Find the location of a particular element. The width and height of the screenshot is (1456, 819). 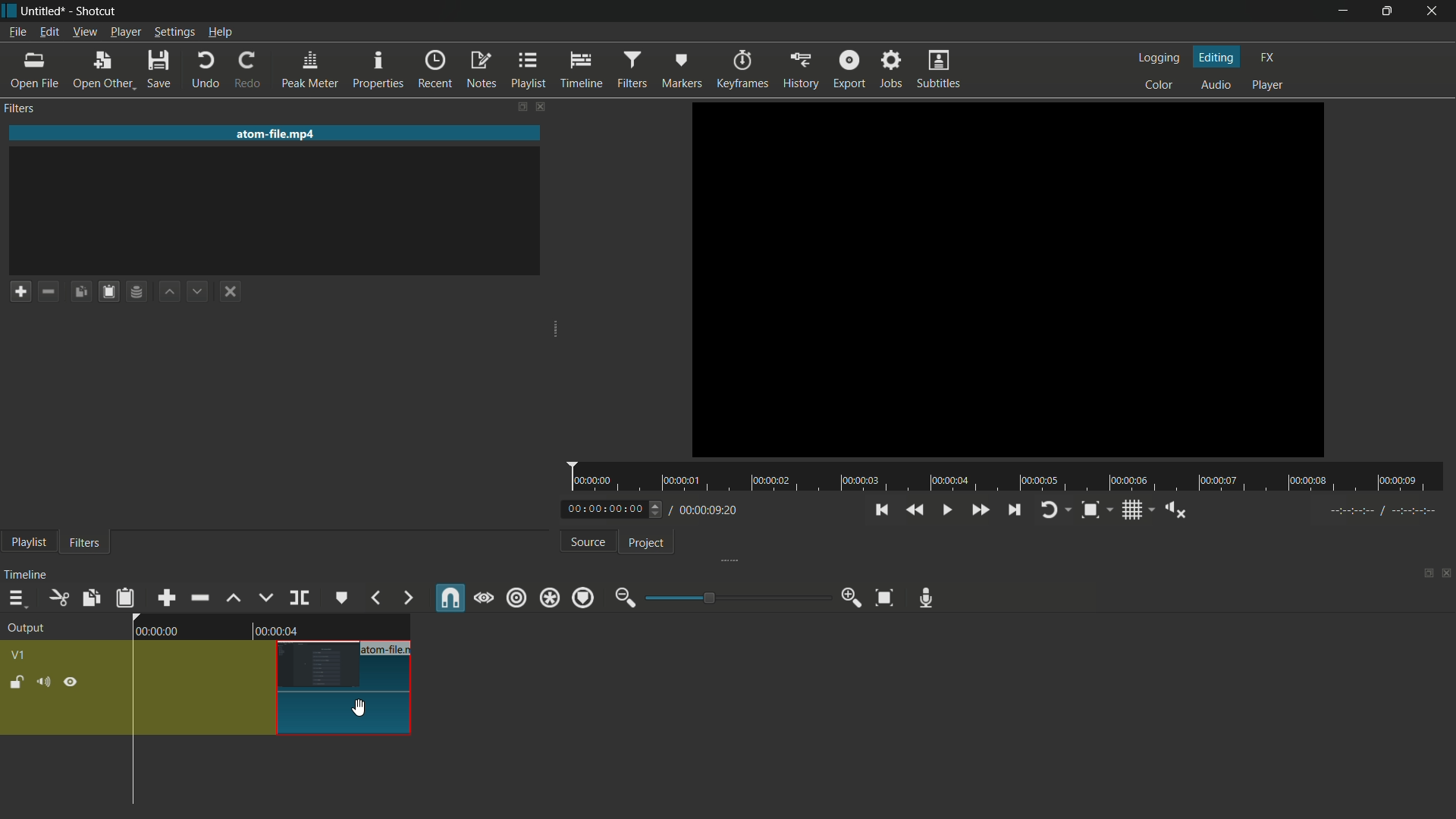

fx is located at coordinates (1267, 58).